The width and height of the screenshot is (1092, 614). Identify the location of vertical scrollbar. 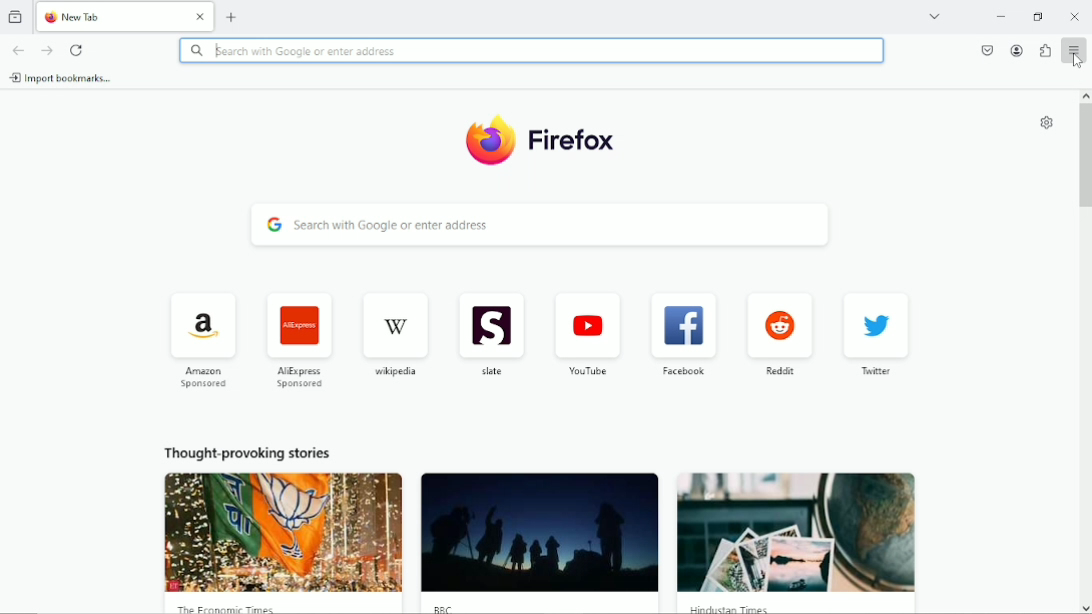
(1085, 160).